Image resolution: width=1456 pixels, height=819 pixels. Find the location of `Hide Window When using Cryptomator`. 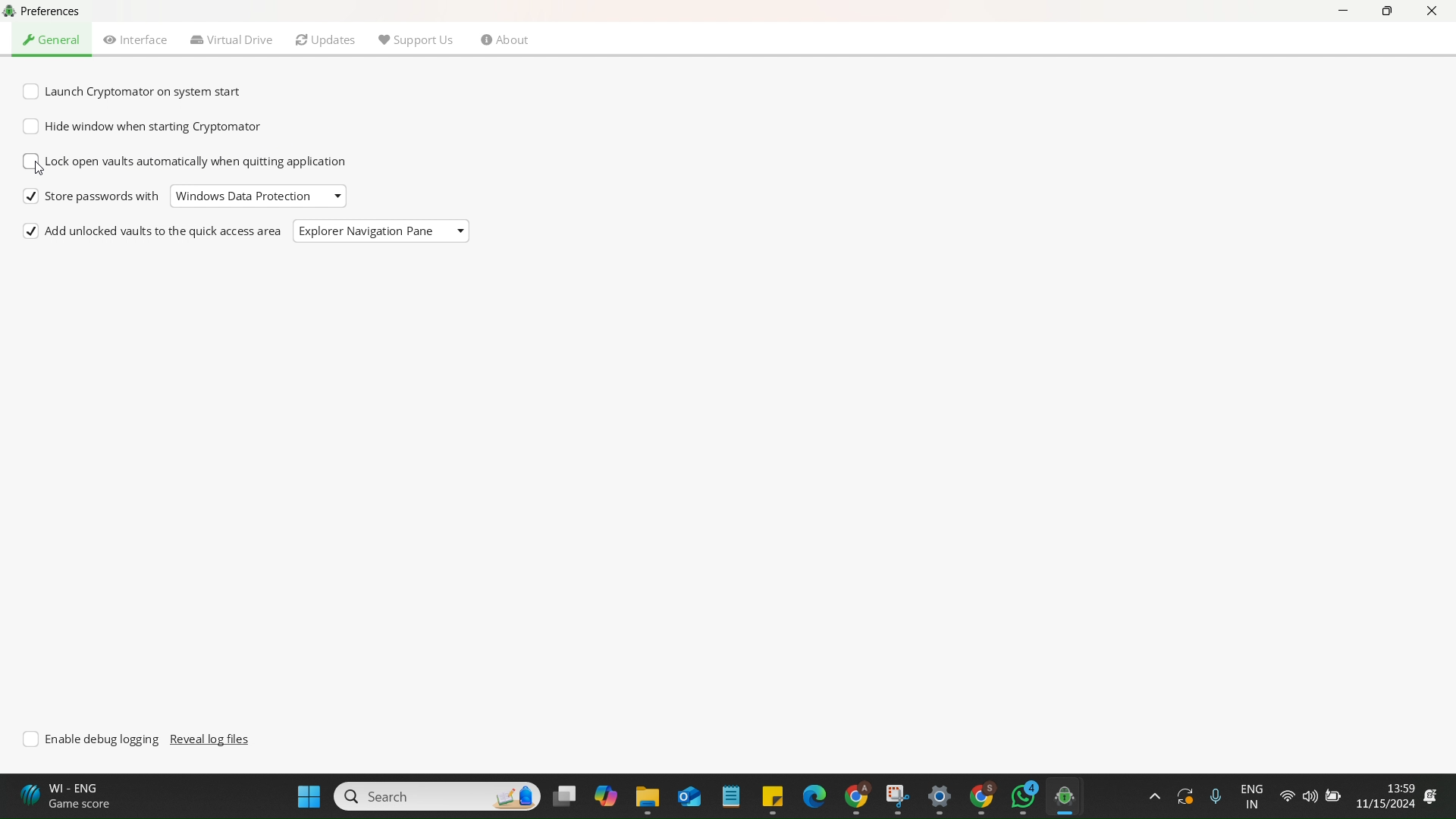

Hide Window When using Cryptomator is located at coordinates (143, 127).